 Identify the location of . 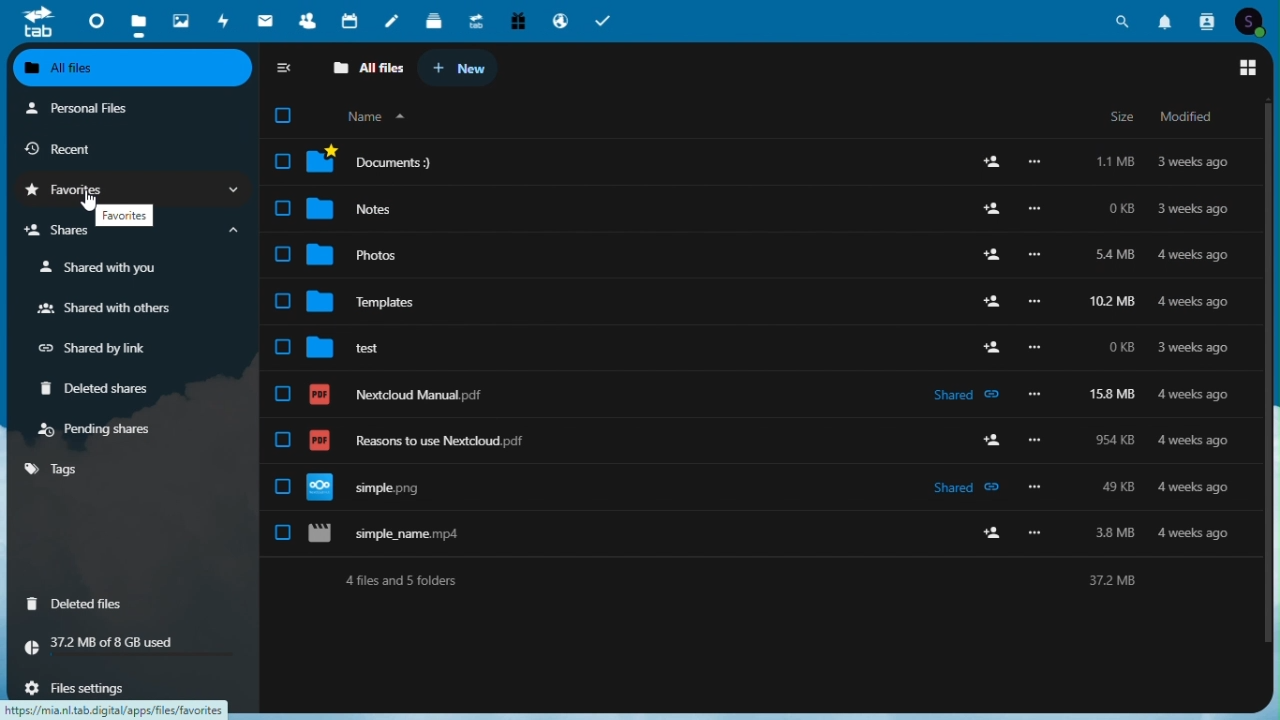
(91, 201).